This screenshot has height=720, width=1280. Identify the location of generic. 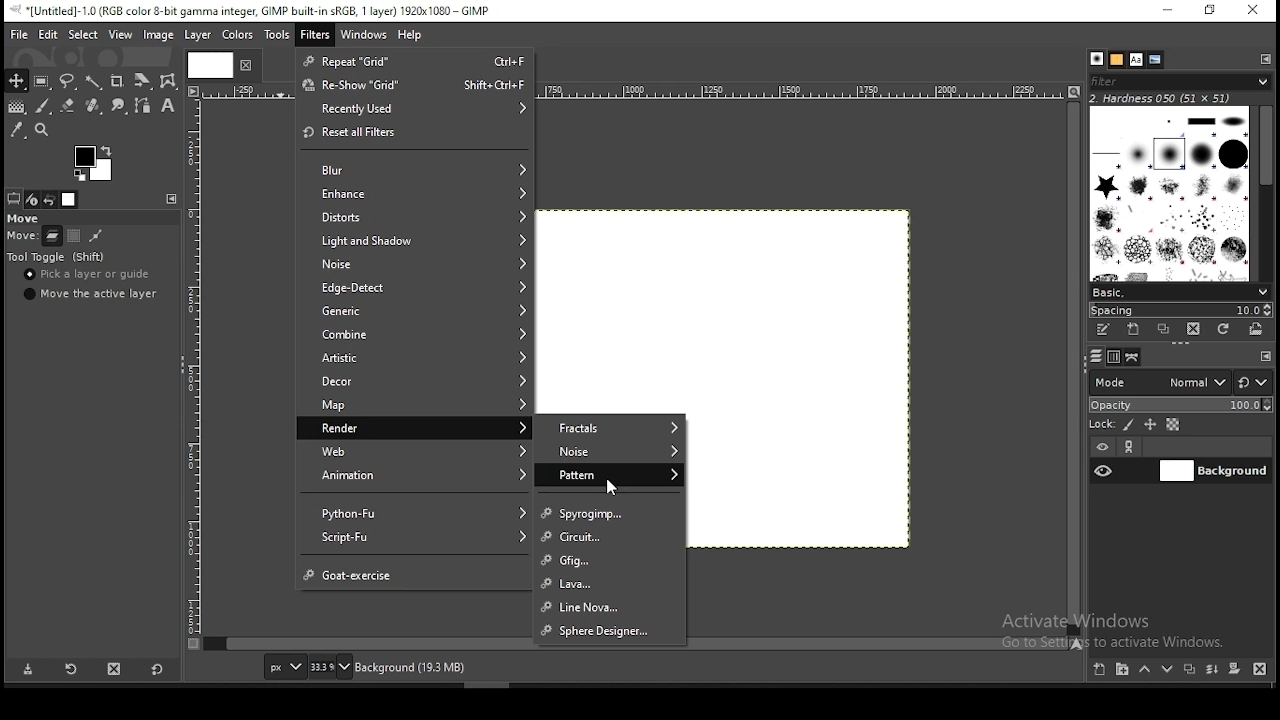
(416, 311).